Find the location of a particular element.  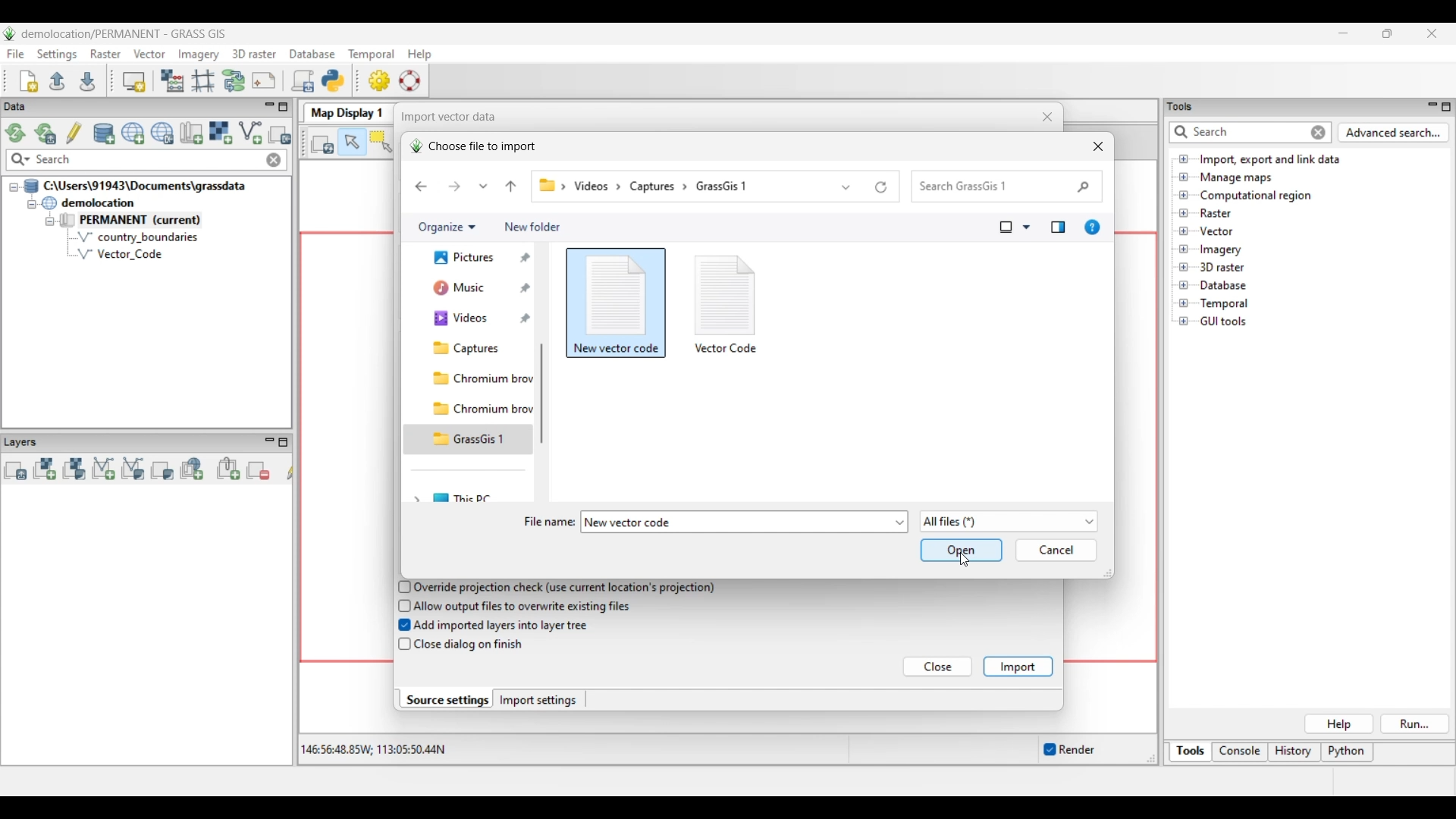

Add various vector map layers is located at coordinates (133, 469).